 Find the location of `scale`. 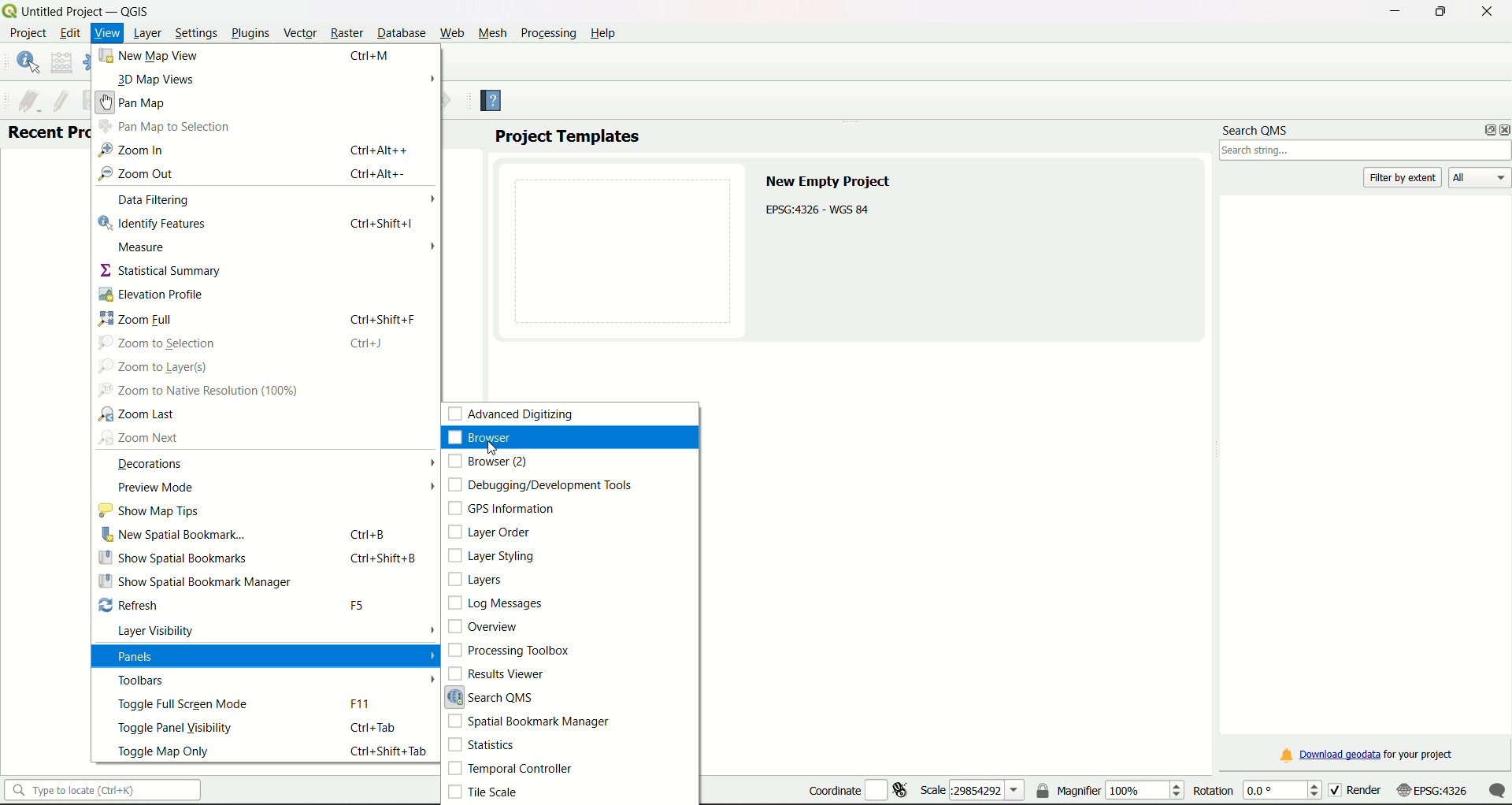

scale is located at coordinates (1461, 792).